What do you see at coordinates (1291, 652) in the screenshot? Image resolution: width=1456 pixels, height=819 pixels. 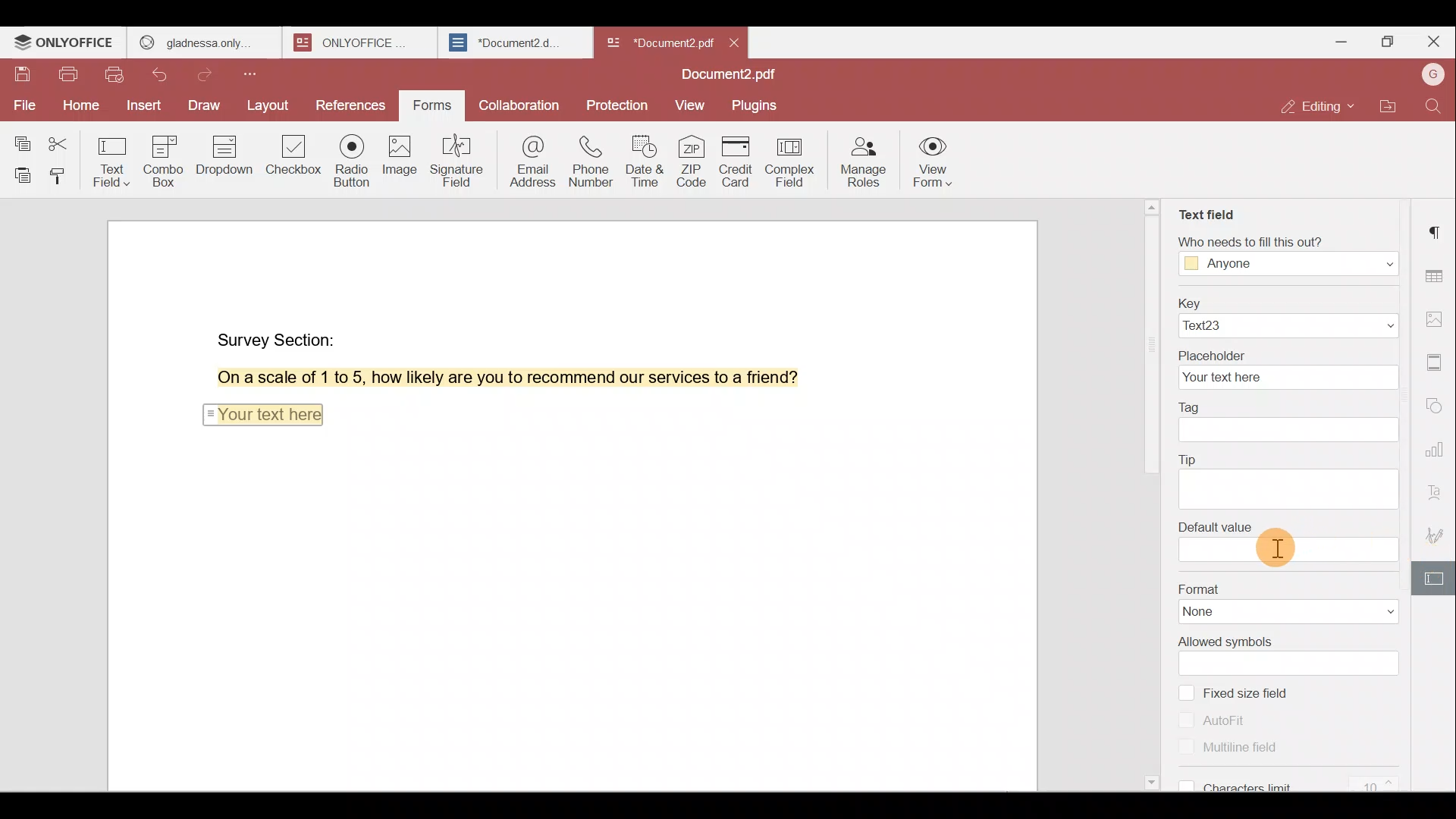 I see `Allowed symbols` at bounding box center [1291, 652].